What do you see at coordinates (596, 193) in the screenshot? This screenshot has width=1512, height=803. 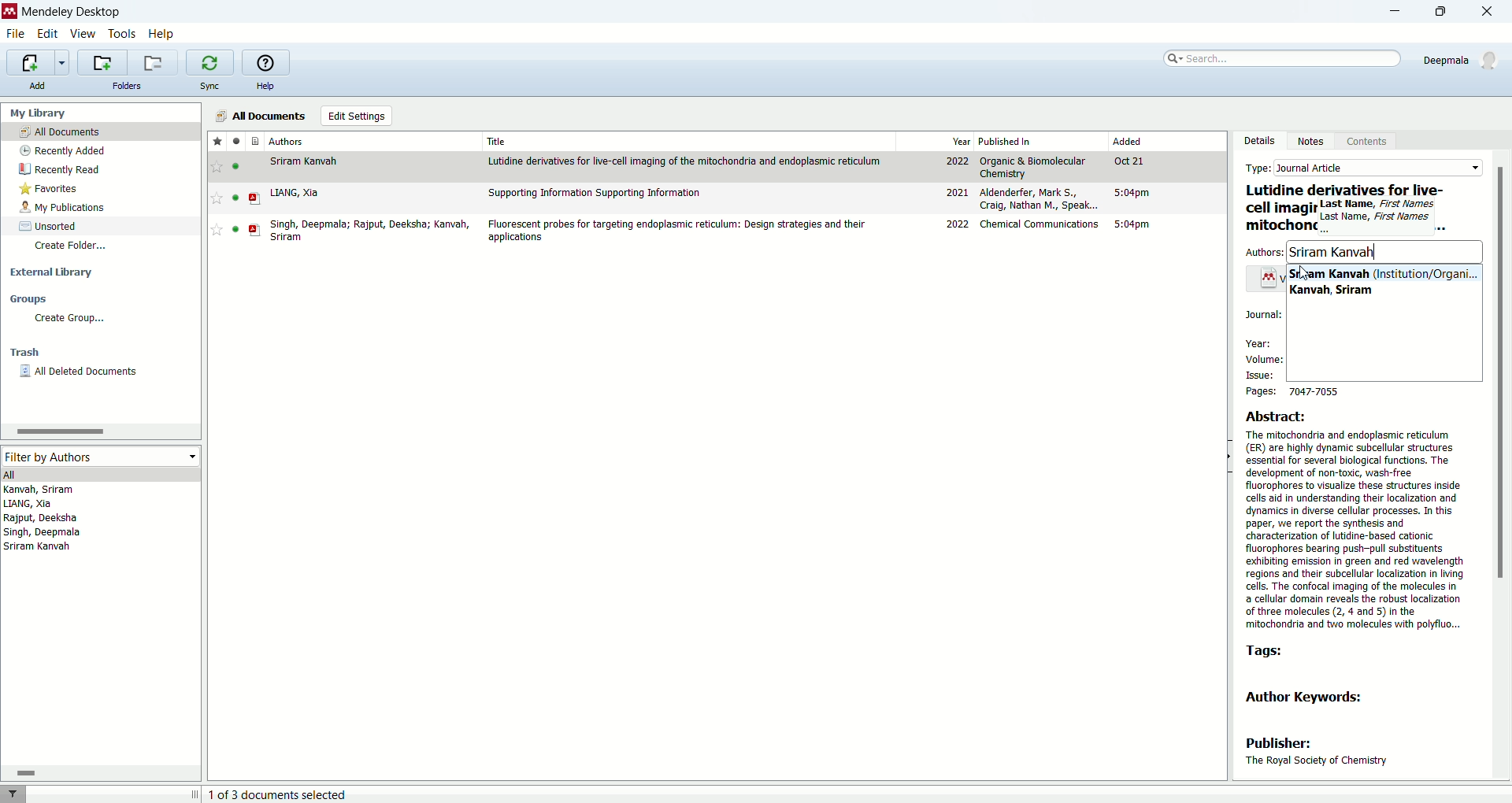 I see `Supporting information Supporting Information` at bounding box center [596, 193].